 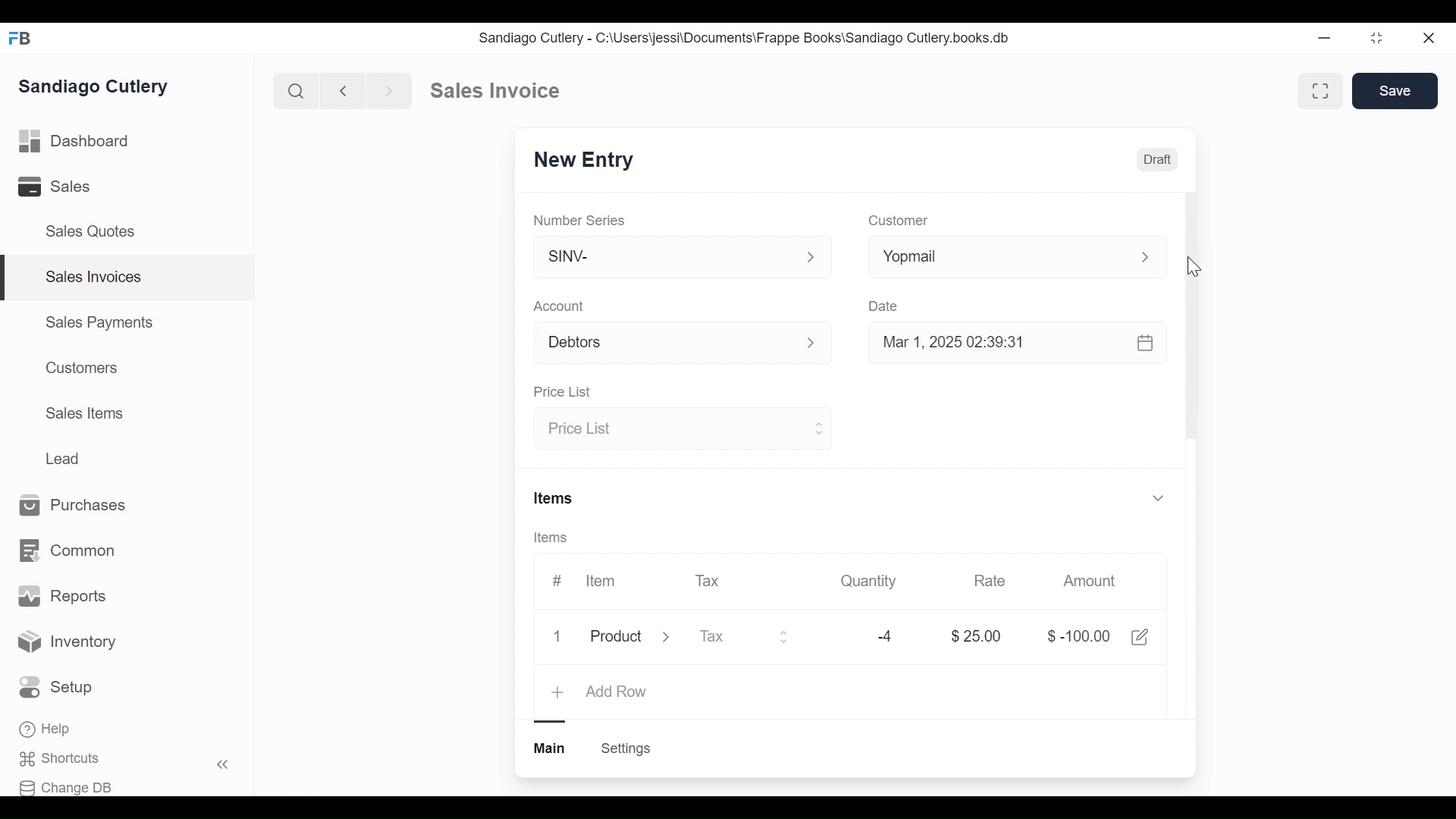 I want to click on Sales invoice, so click(x=494, y=91).